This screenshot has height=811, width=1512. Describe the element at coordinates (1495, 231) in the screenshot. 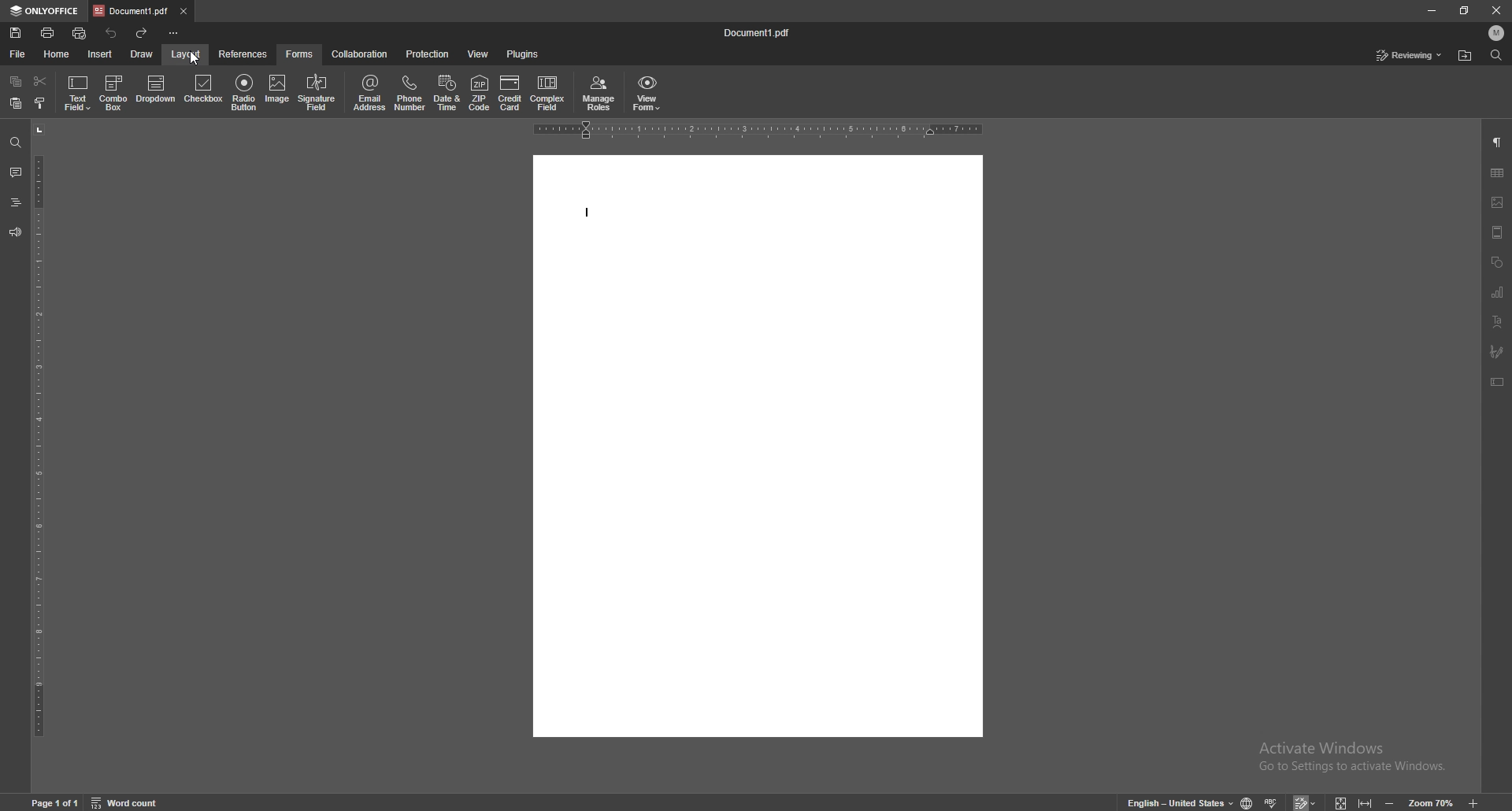

I see `header and footer` at that location.